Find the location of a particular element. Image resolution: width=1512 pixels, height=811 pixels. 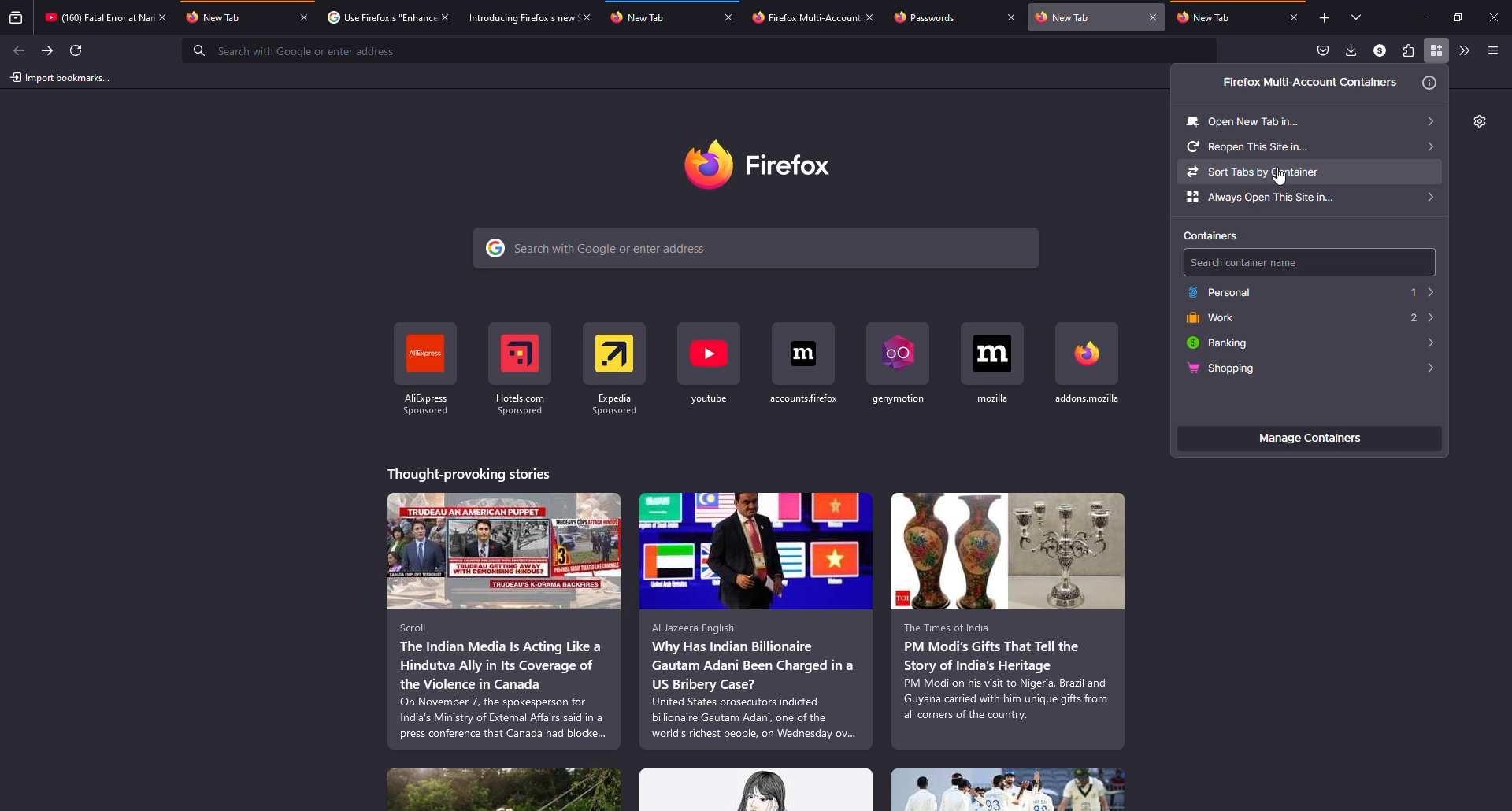

close is located at coordinates (585, 16).